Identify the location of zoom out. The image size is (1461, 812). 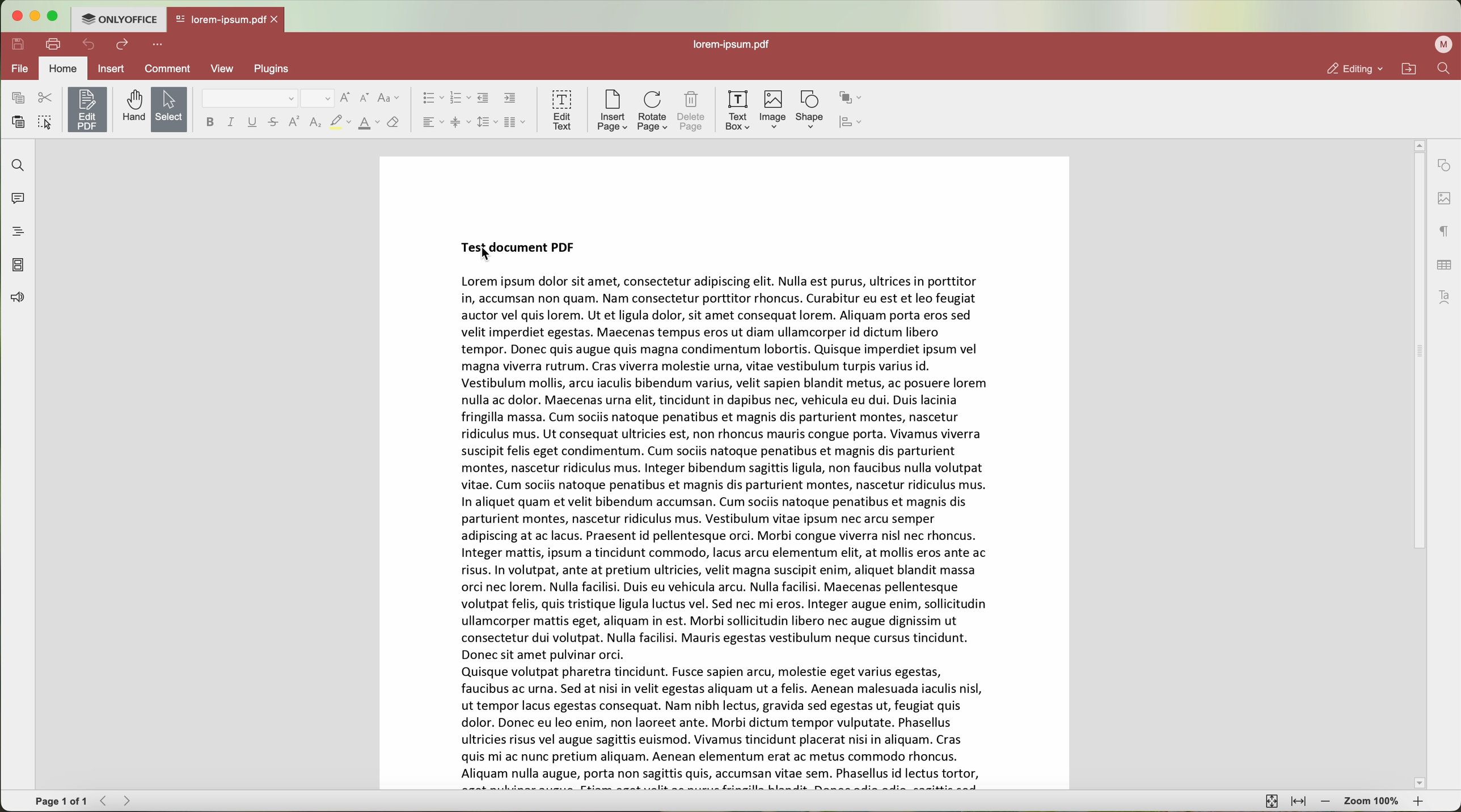
(1328, 803).